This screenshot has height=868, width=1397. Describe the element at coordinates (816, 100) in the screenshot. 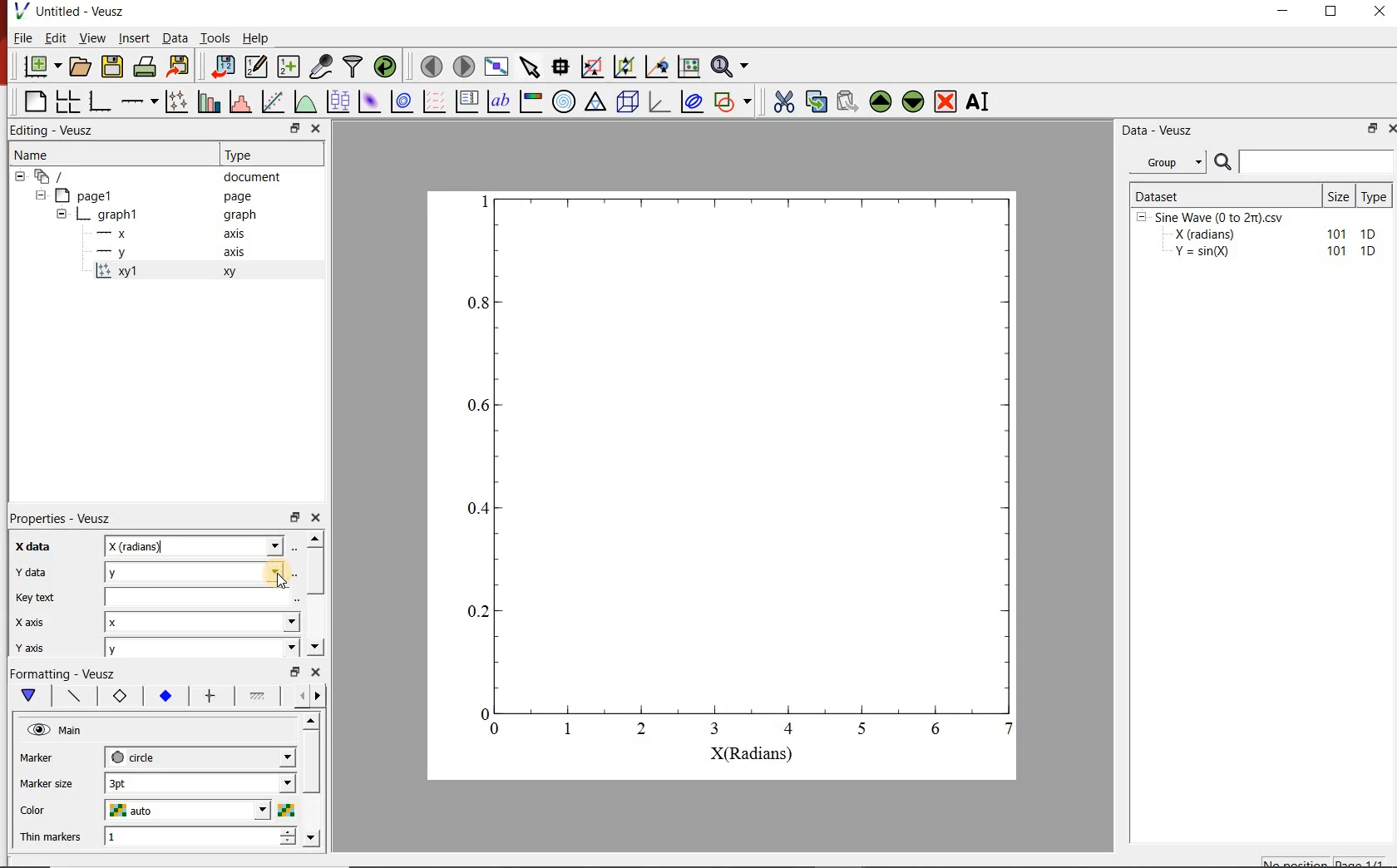

I see `copy` at that location.